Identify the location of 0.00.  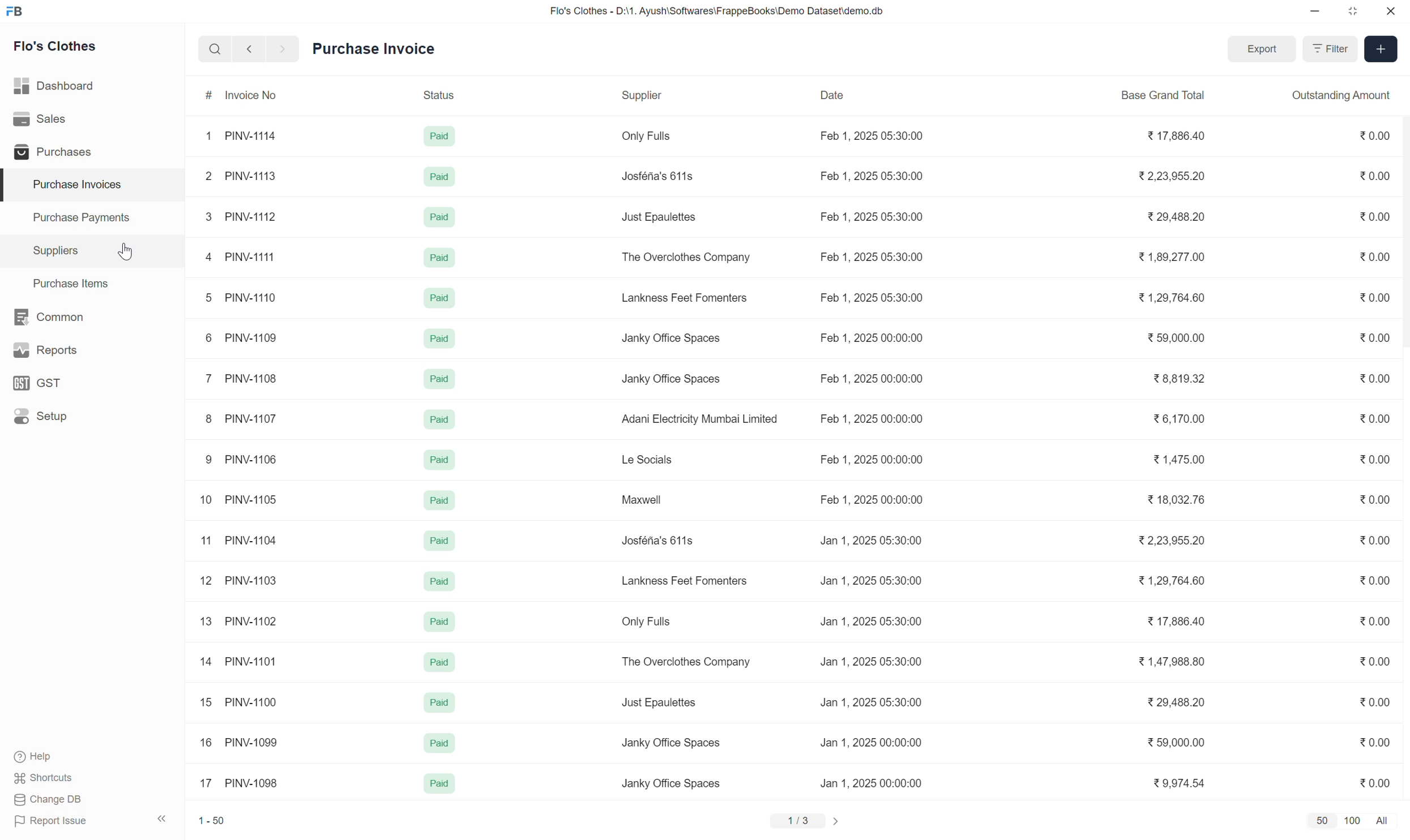
(1375, 661).